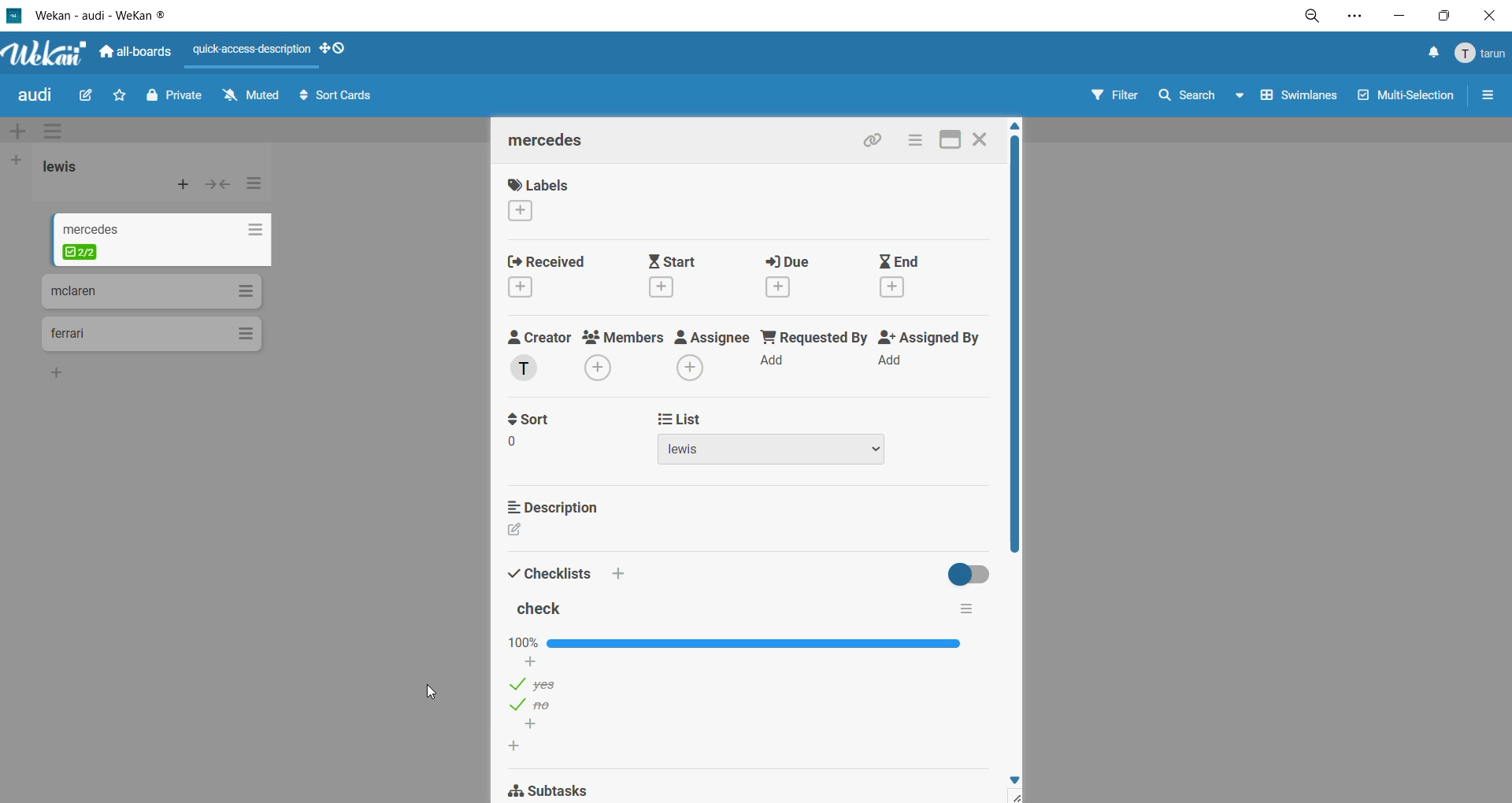 The width and height of the screenshot is (1512, 803). Describe the element at coordinates (550, 432) in the screenshot. I see `sort` at that location.